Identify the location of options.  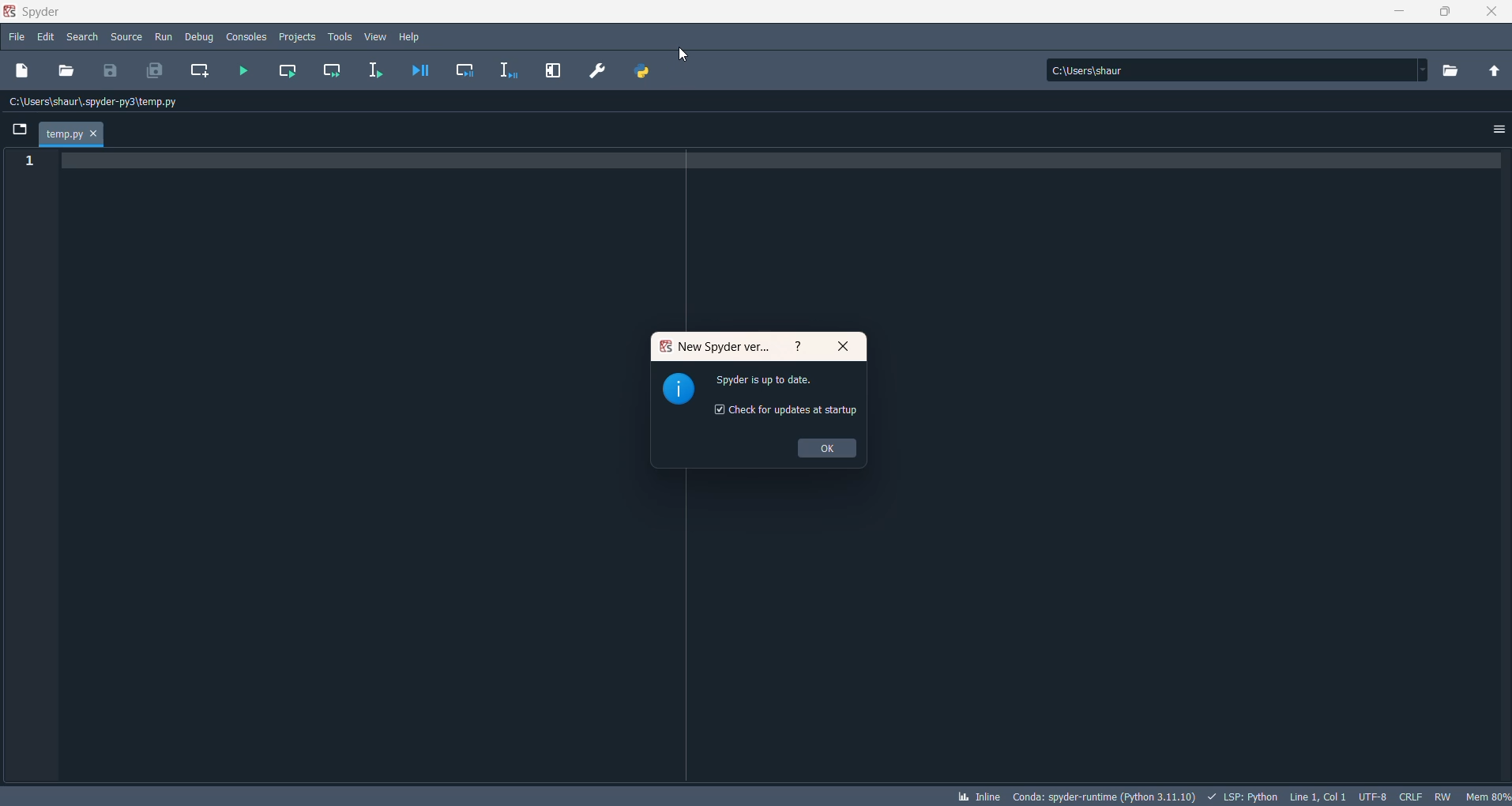
(1496, 133).